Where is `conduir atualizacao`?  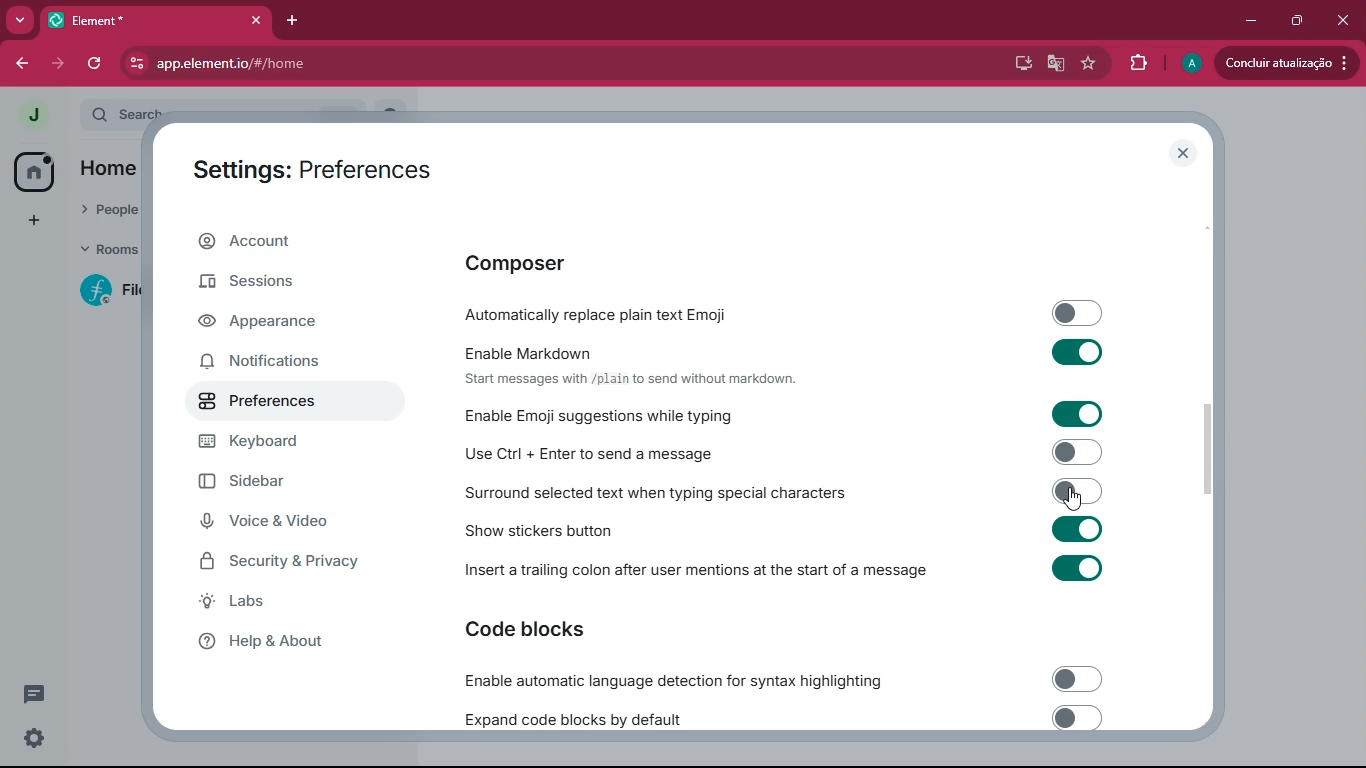 conduir atualizacao is located at coordinates (1283, 64).